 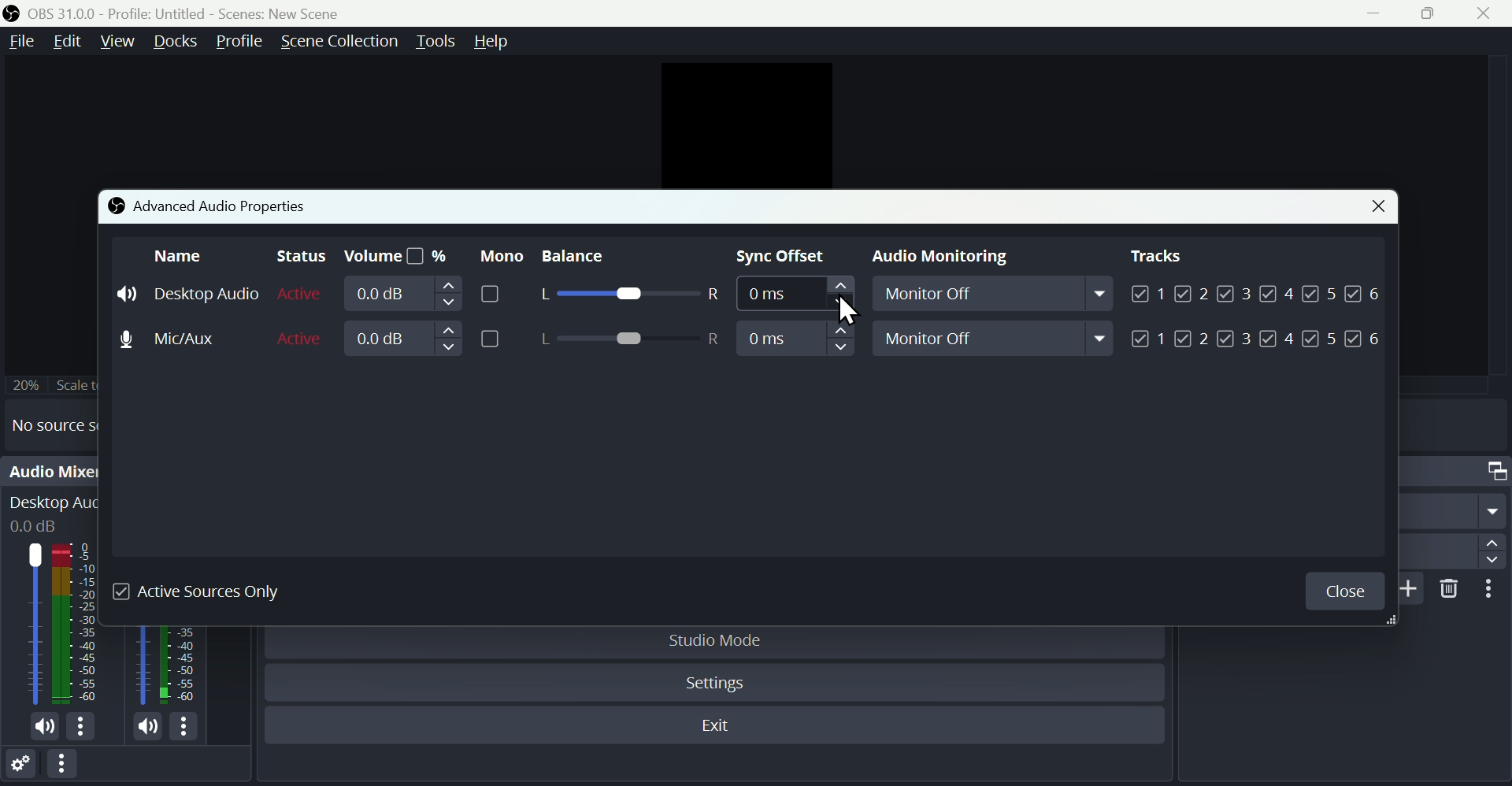 I want to click on (un)check Track 4, so click(x=1277, y=339).